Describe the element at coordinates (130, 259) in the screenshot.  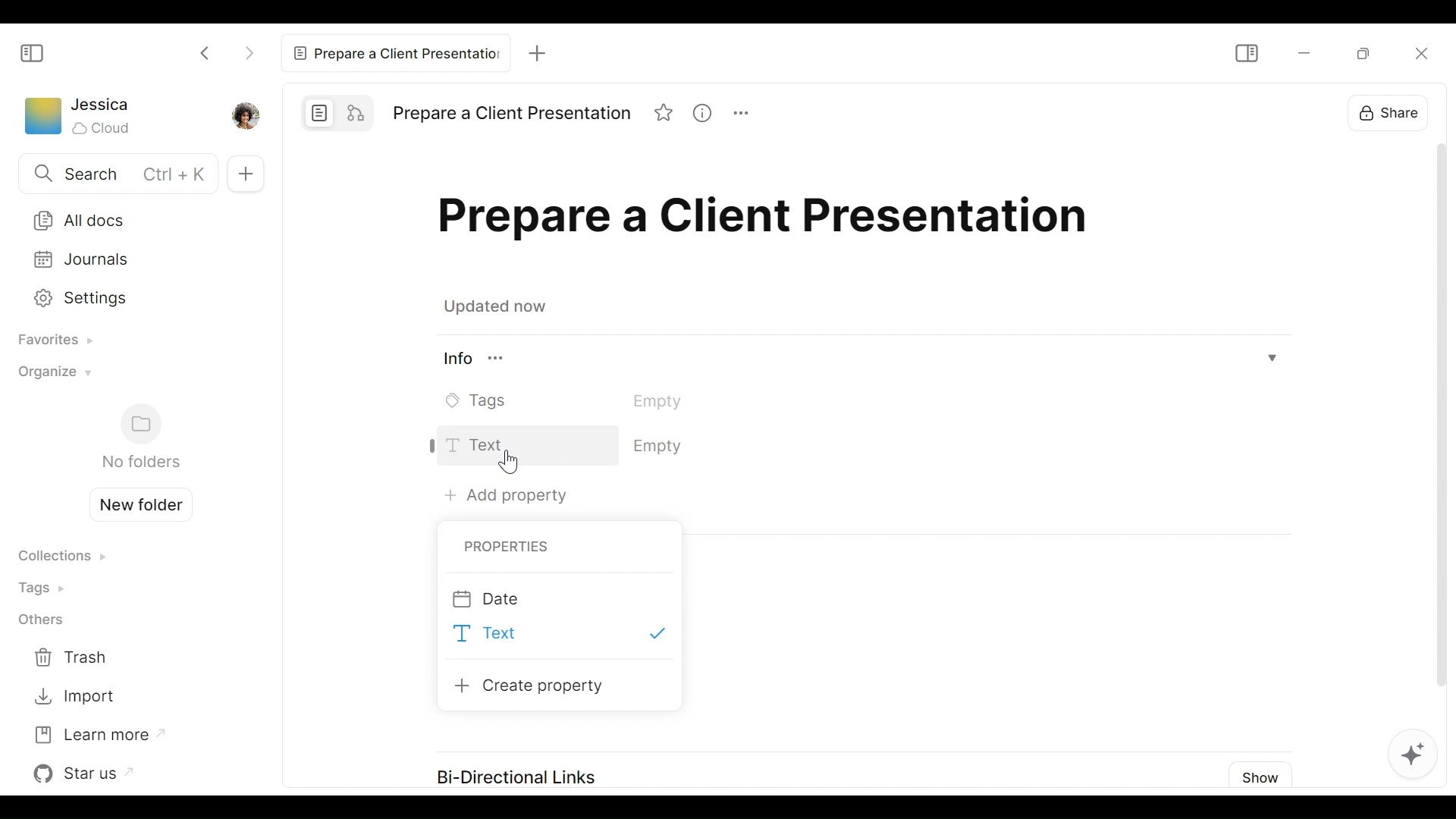
I see `Journals` at that location.